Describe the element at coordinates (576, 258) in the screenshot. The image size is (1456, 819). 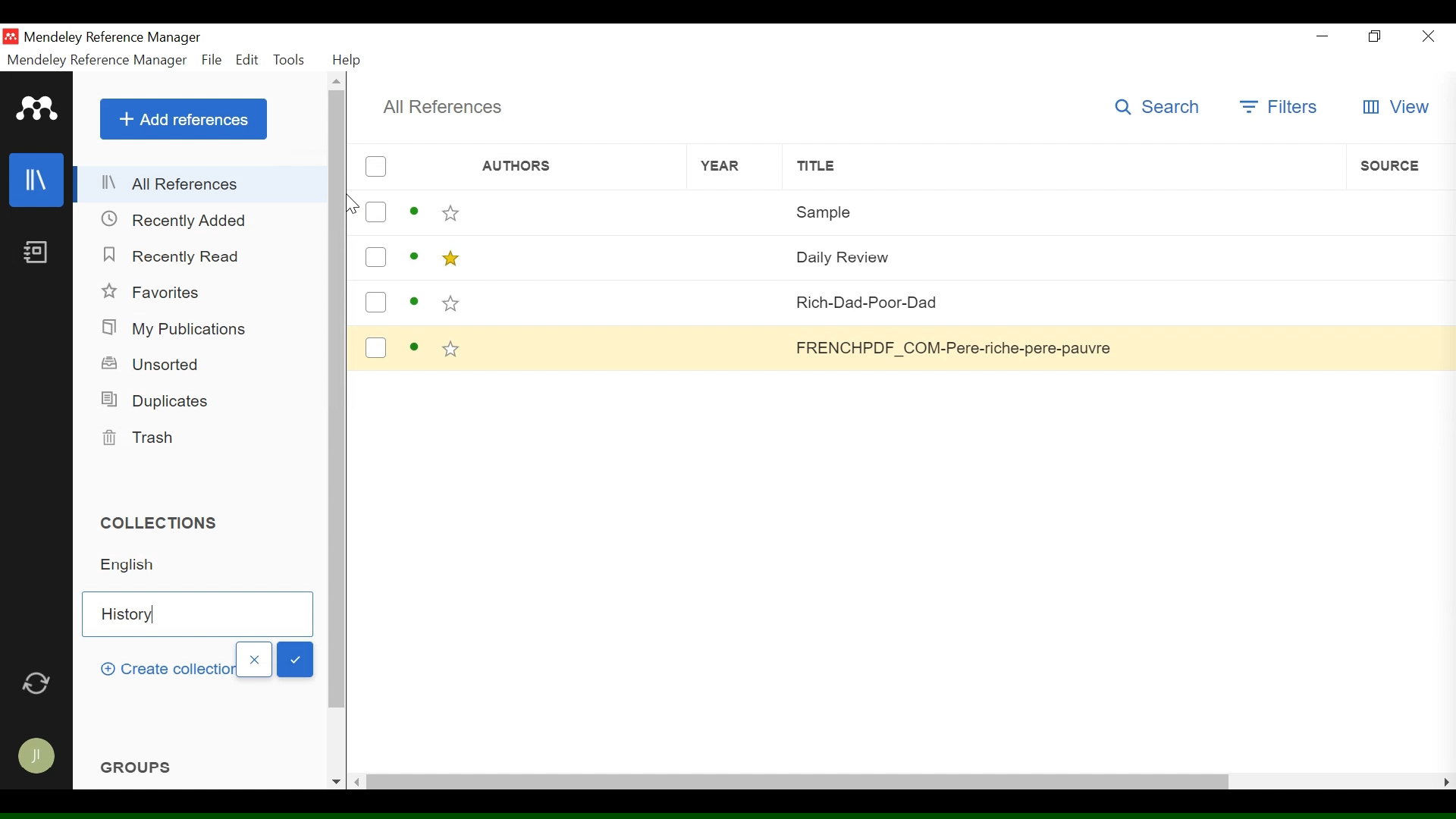
I see `Authors` at that location.